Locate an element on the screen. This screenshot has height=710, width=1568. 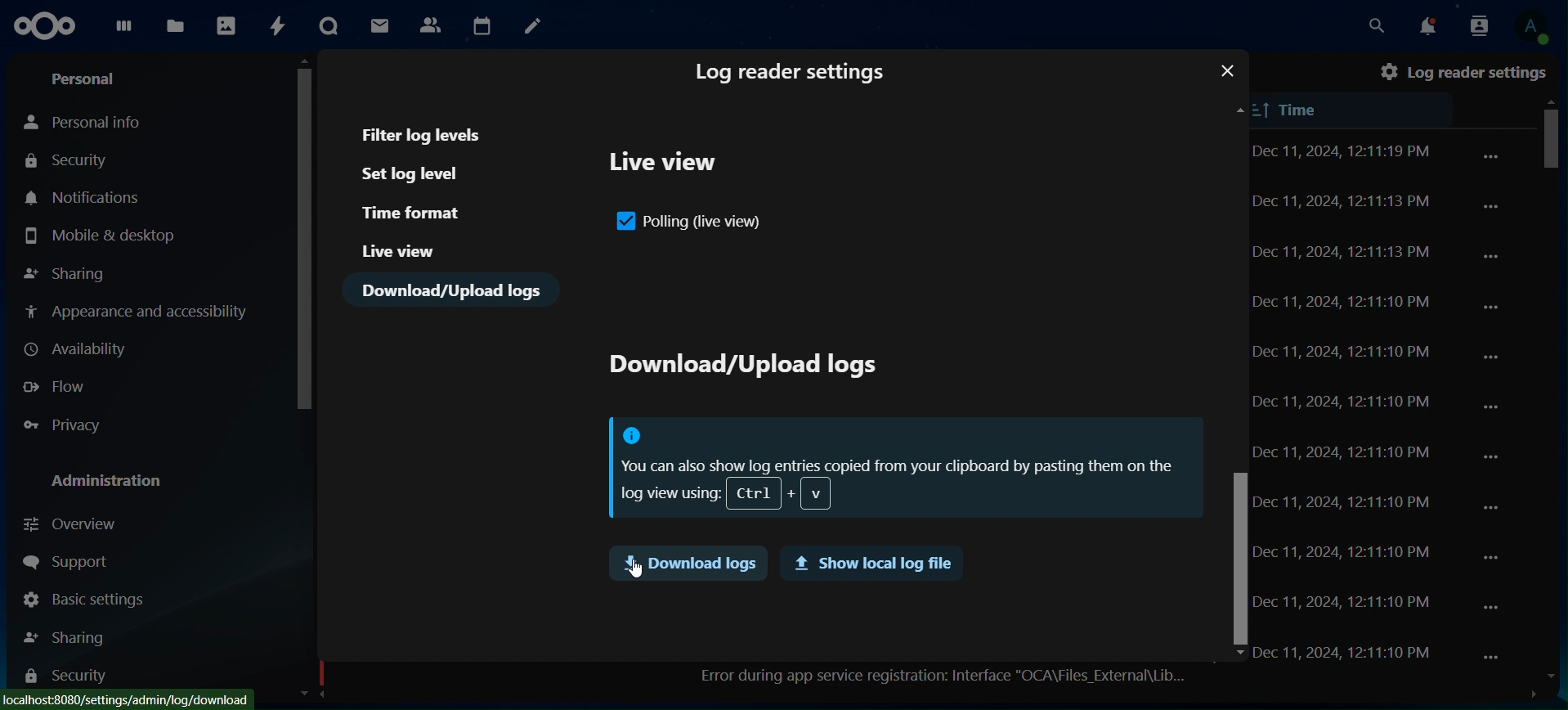
sharing is located at coordinates (68, 270).